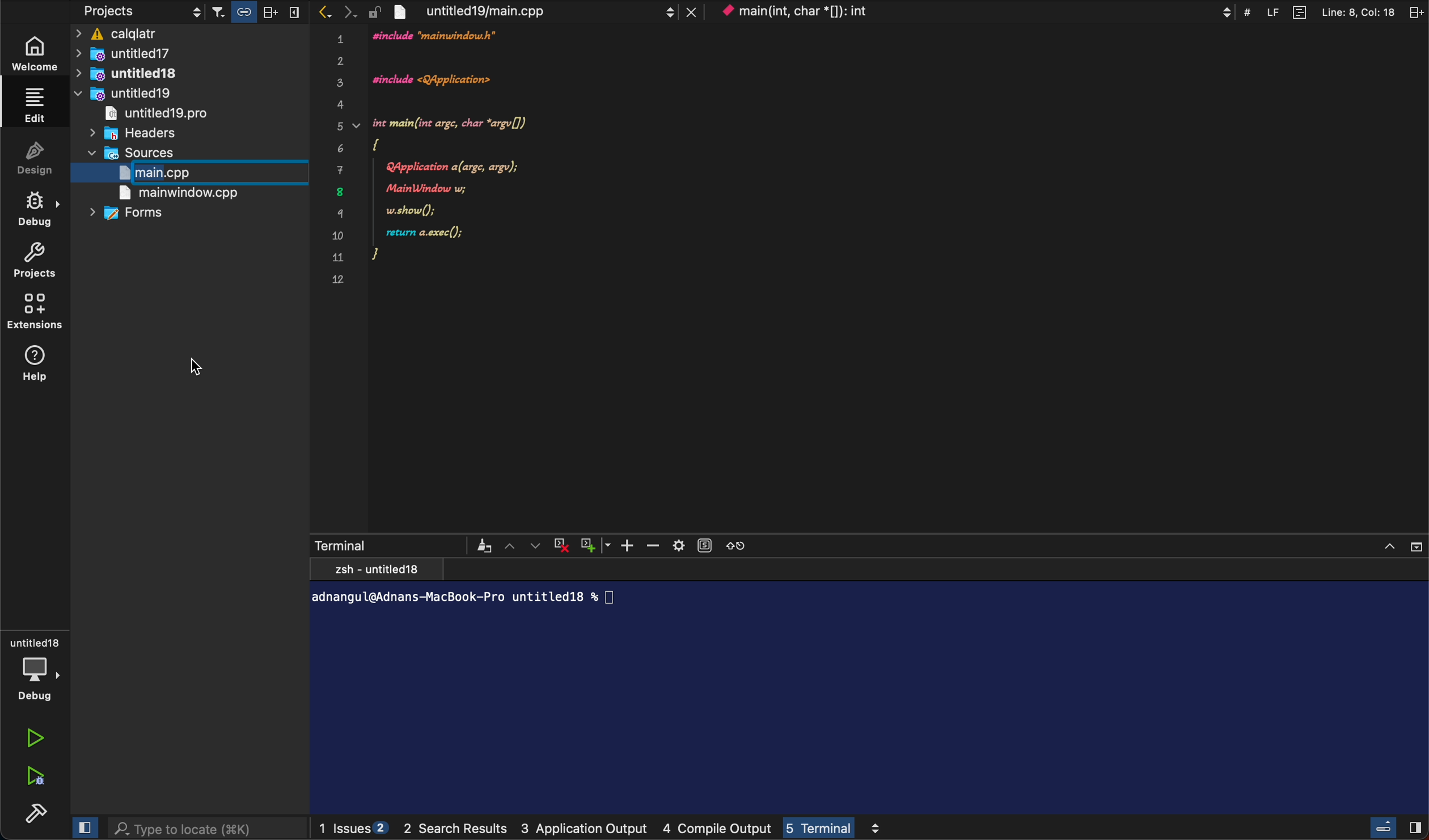 The height and width of the screenshot is (840, 1429). I want to click on Subtitles, so click(705, 544).